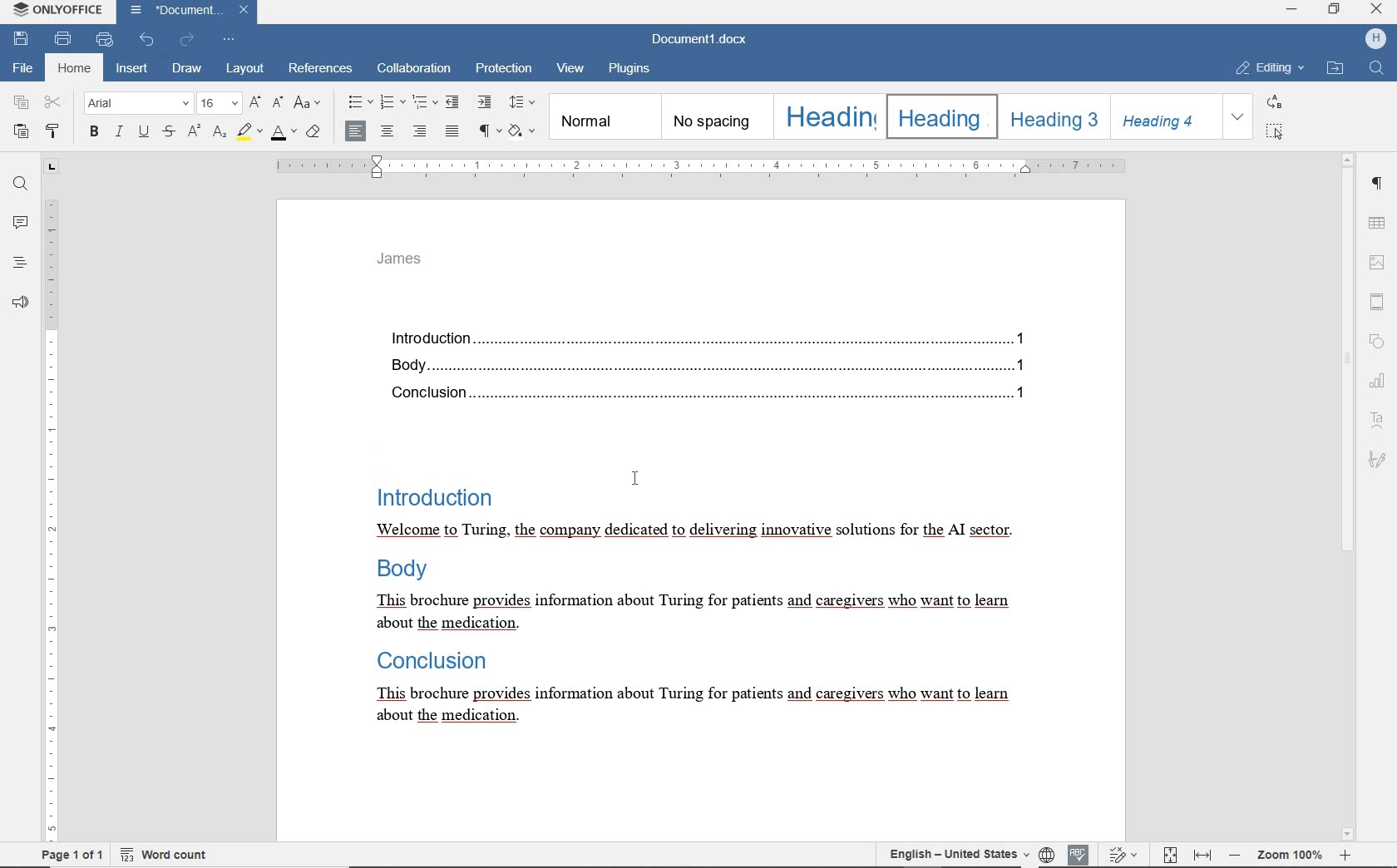  What do you see at coordinates (193, 131) in the screenshot?
I see `superscript` at bounding box center [193, 131].